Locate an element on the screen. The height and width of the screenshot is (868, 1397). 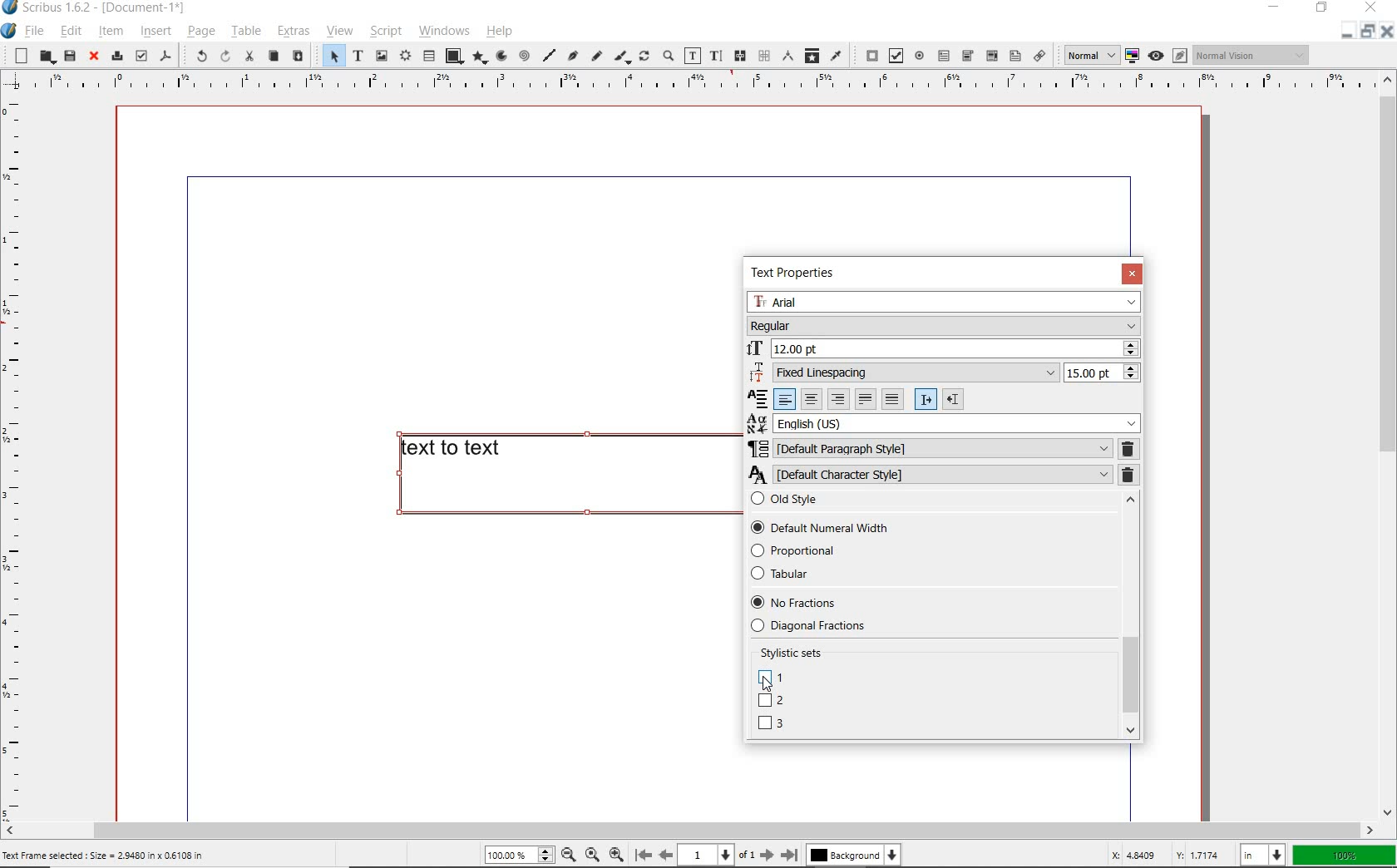
spiral is located at coordinates (524, 57).